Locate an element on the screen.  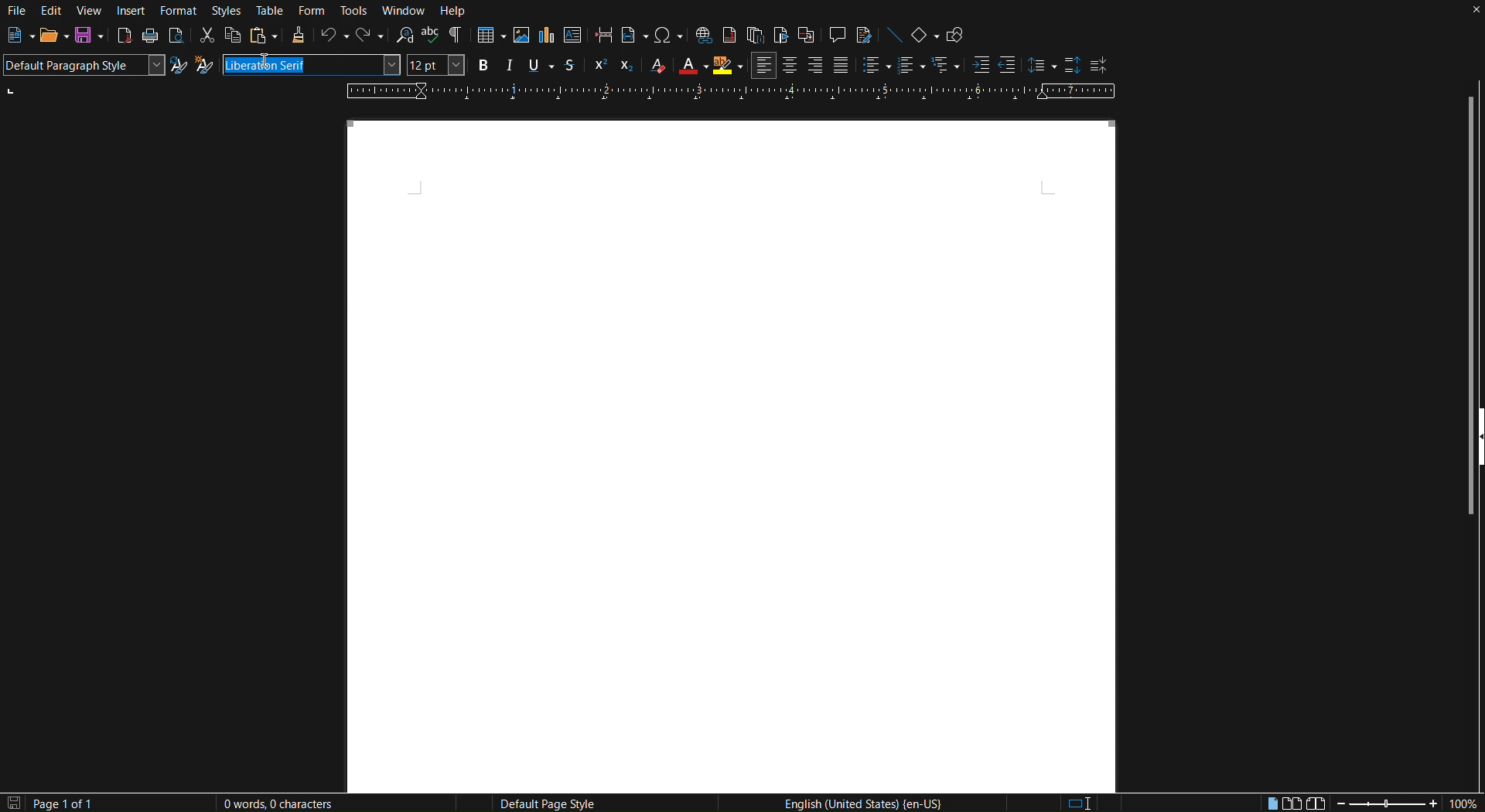
Insert page break is located at coordinates (601, 36).